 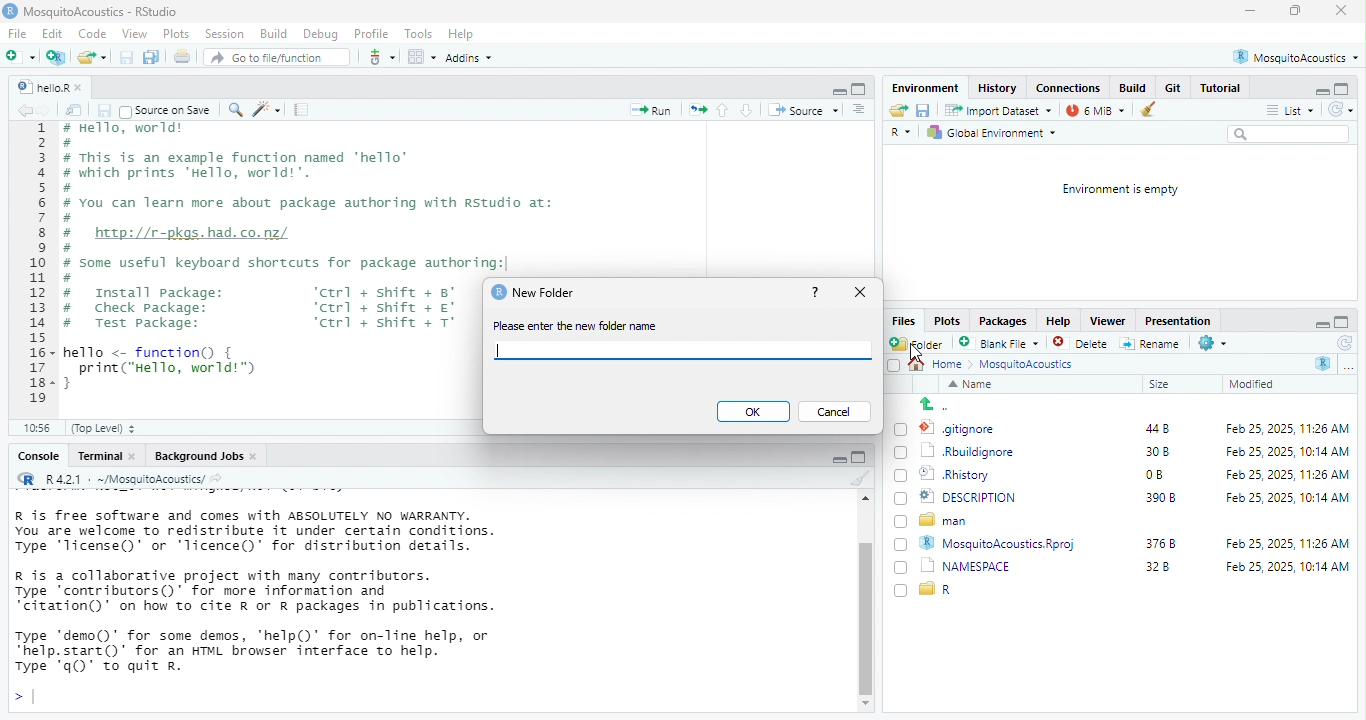 I want to click on Terminal, so click(x=99, y=457).